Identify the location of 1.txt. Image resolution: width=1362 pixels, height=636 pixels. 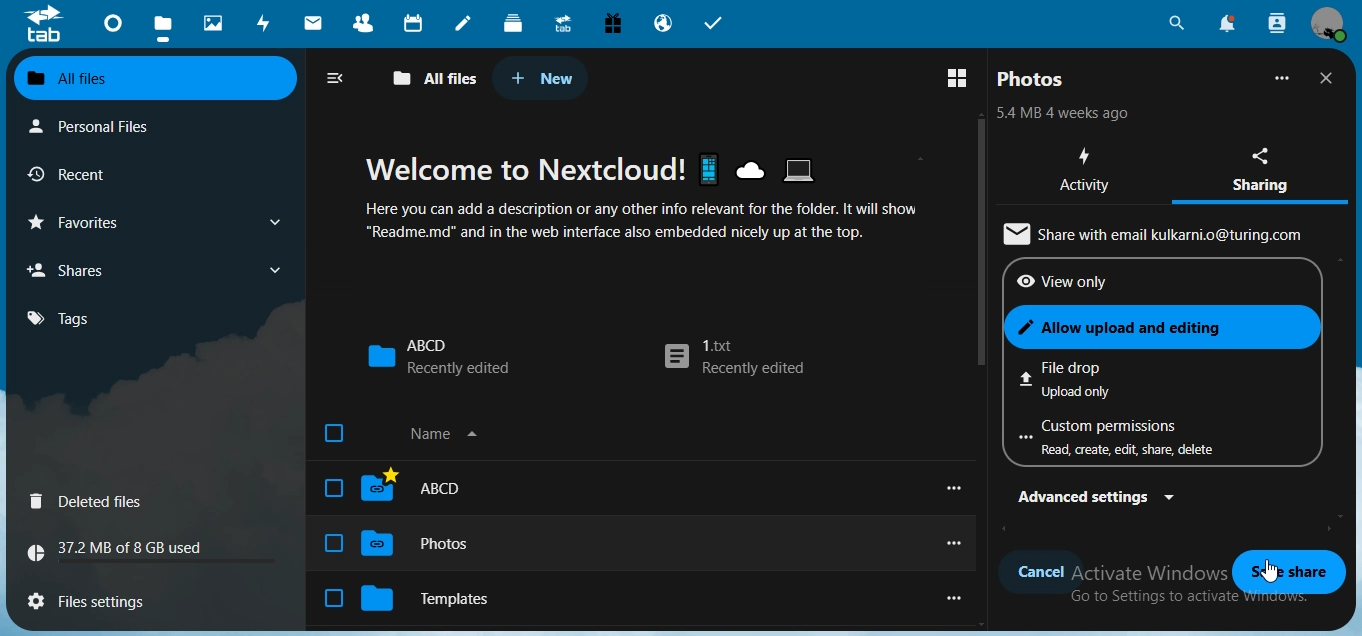
(734, 359).